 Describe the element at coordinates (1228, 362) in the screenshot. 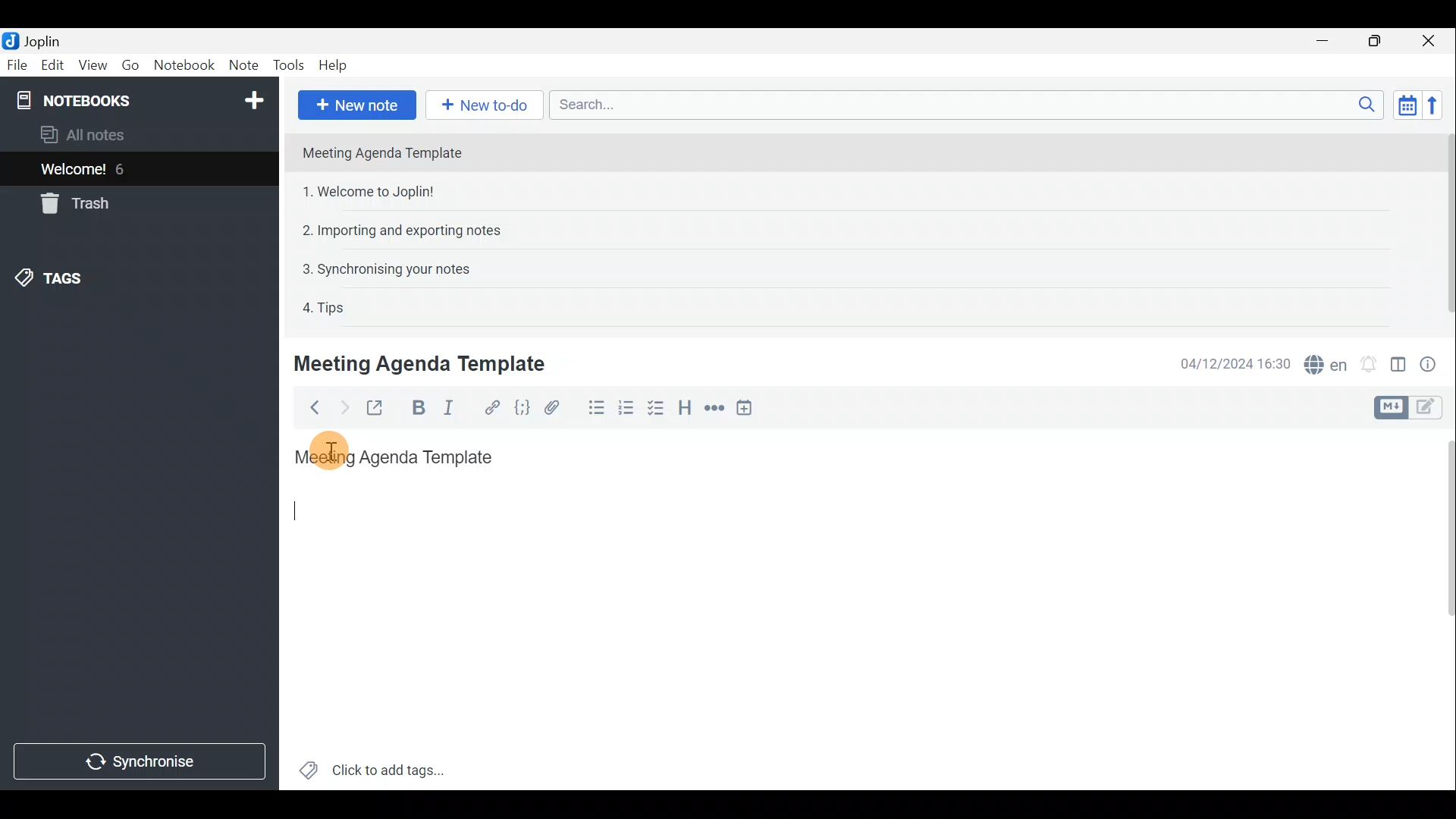

I see `04/12/2024 16:30` at that location.